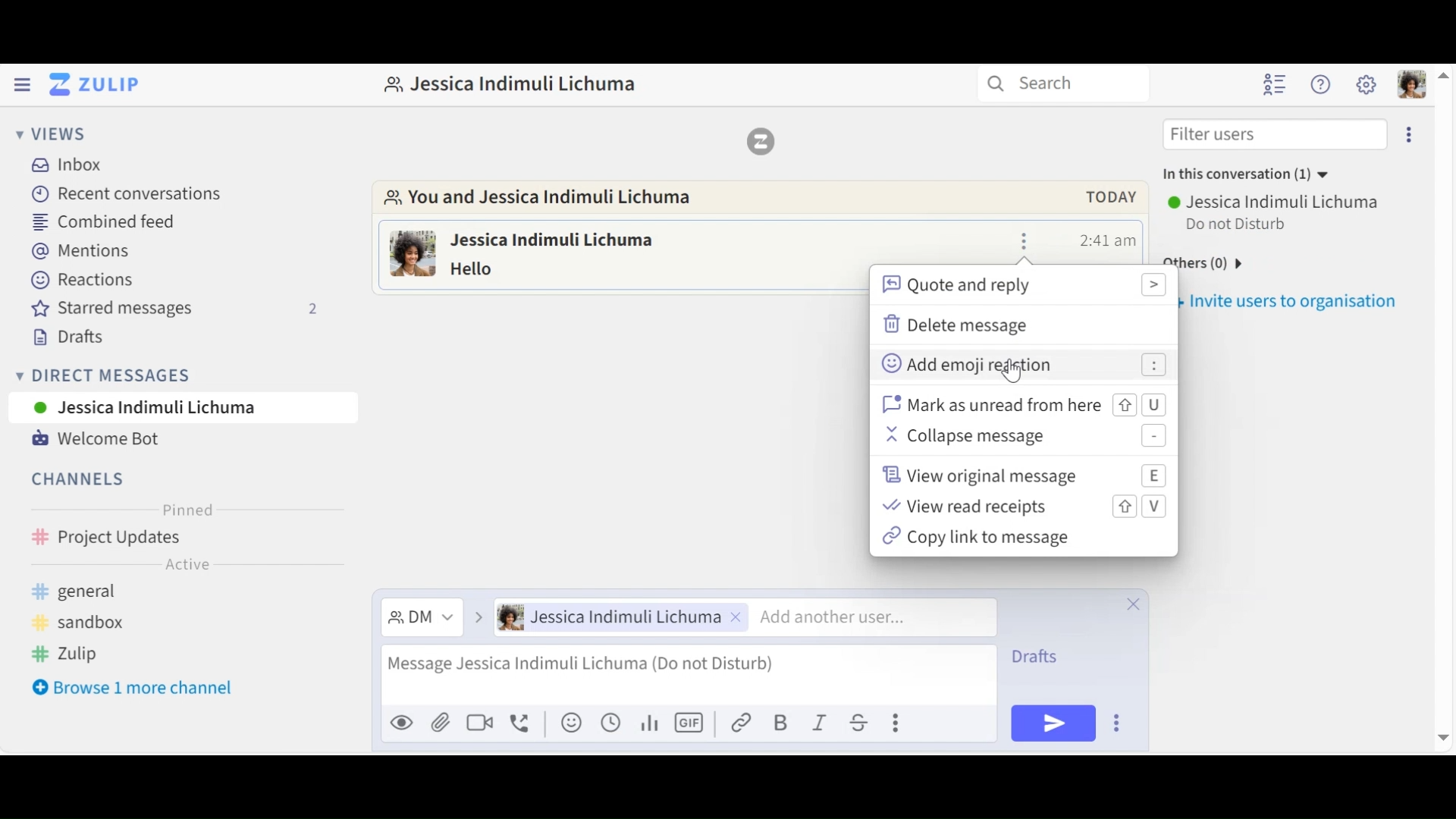 The width and height of the screenshot is (1456, 819). Describe the element at coordinates (742, 721) in the screenshot. I see `Link` at that location.